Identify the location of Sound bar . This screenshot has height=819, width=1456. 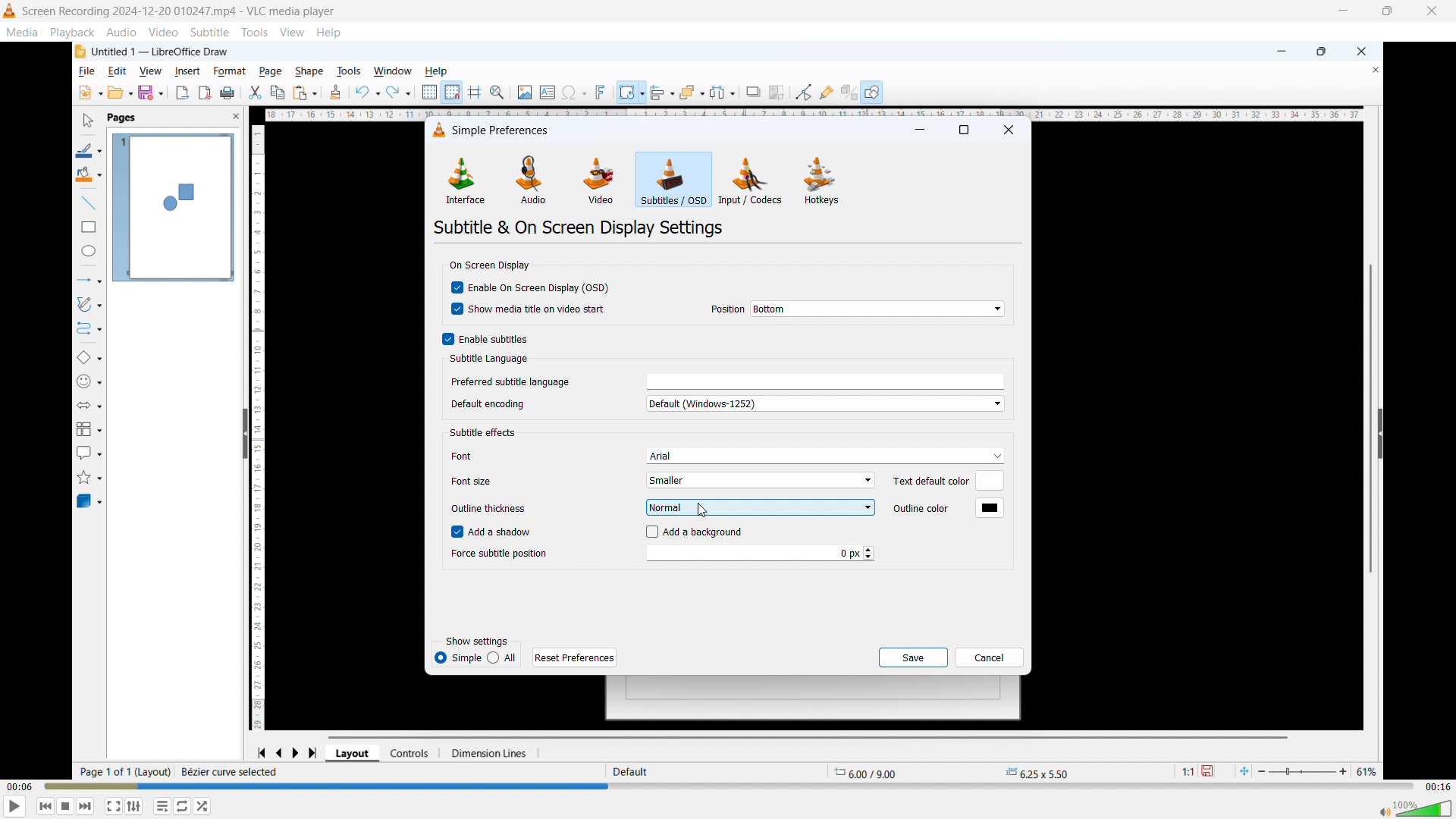
(1411, 808).